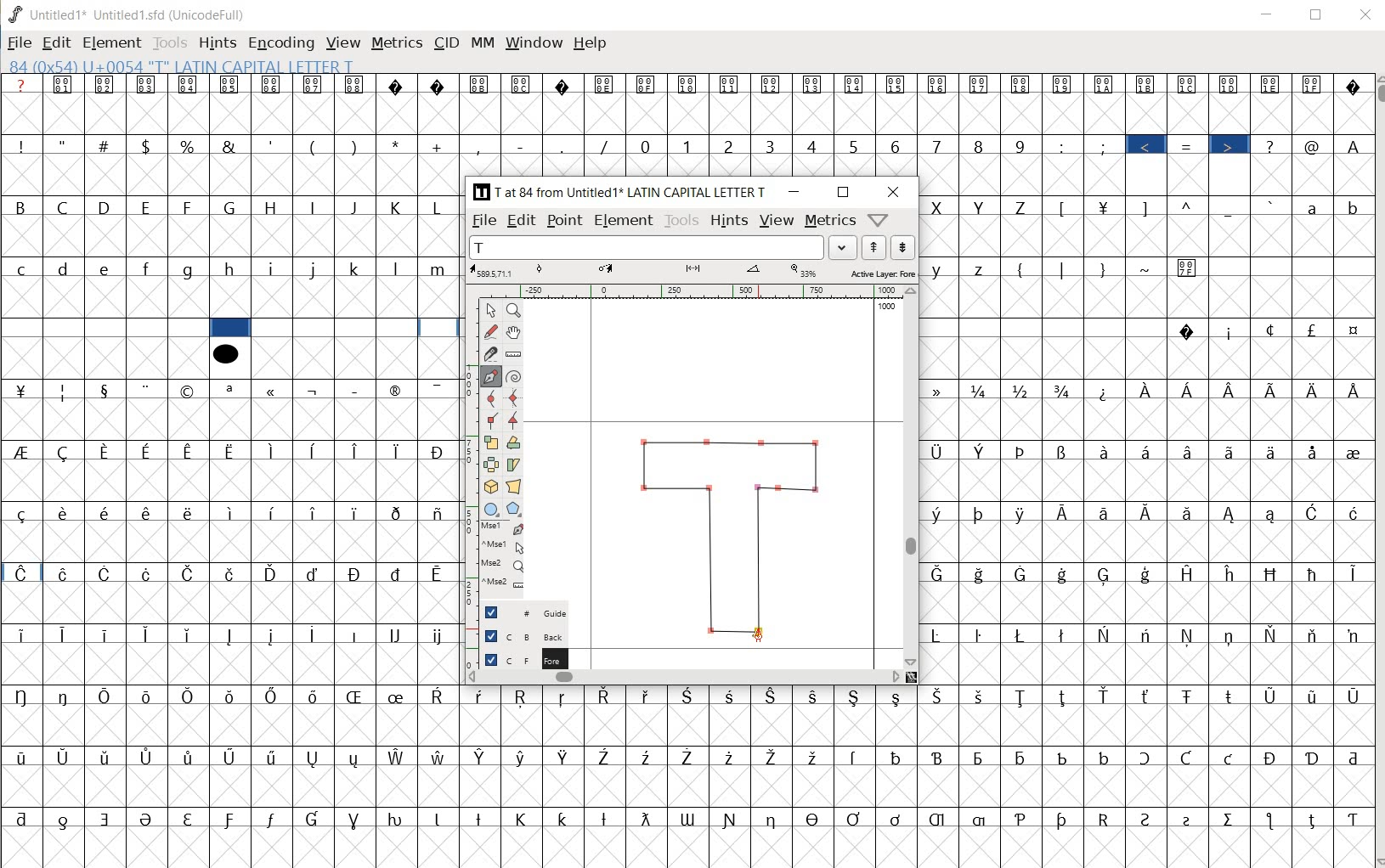  Describe the element at coordinates (480, 146) in the screenshot. I see `,` at that location.